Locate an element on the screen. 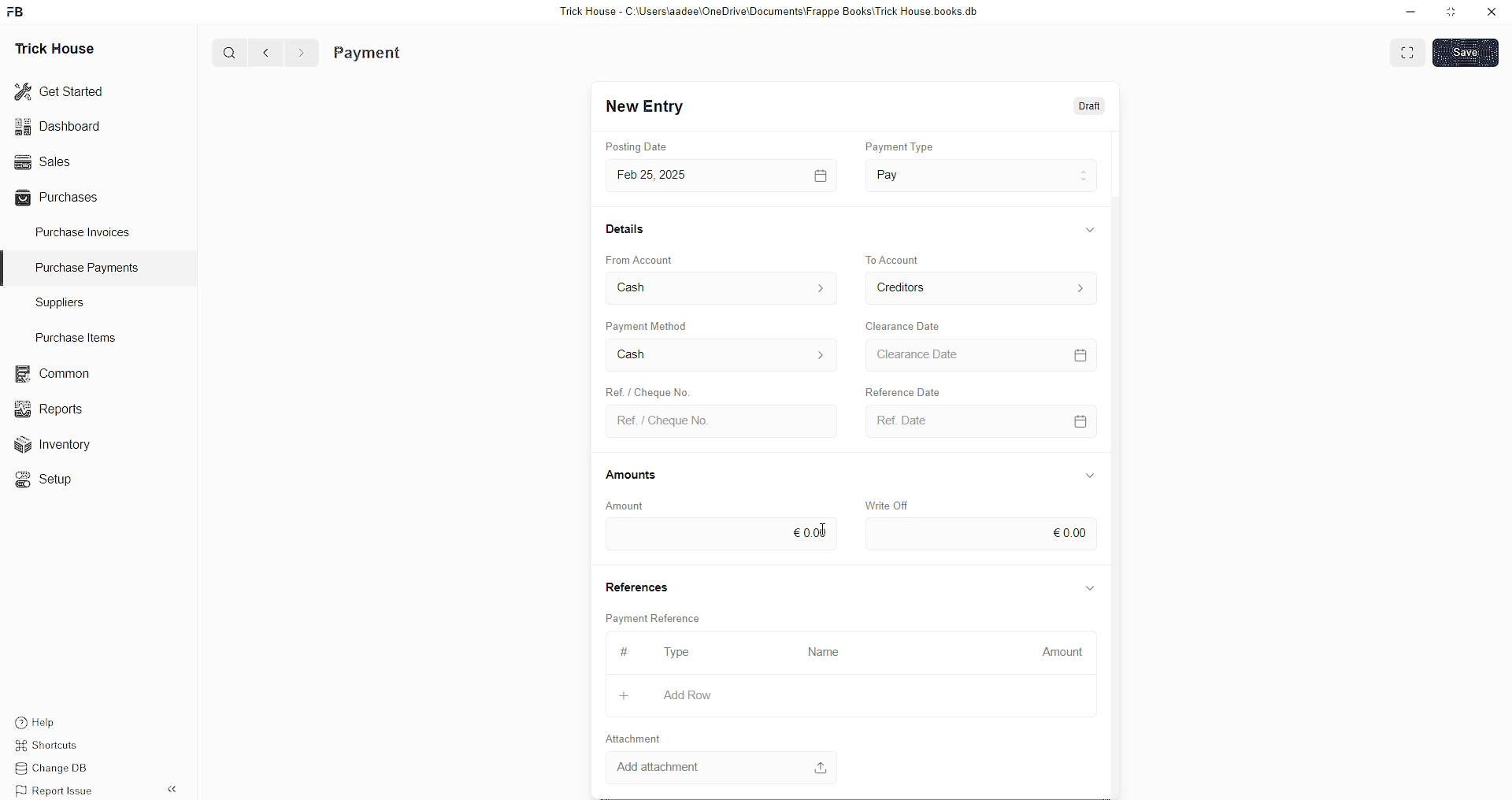 The image size is (1512, 800). Details is located at coordinates (621, 231).